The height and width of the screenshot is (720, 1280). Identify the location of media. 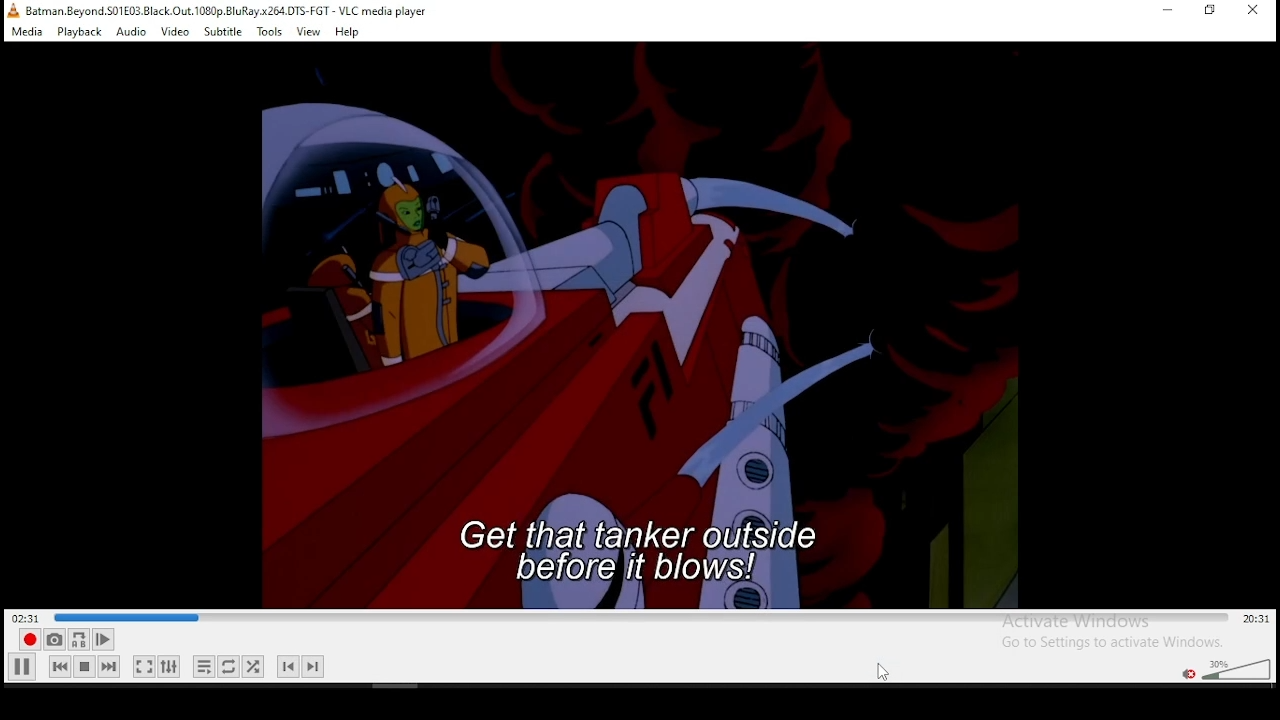
(29, 32).